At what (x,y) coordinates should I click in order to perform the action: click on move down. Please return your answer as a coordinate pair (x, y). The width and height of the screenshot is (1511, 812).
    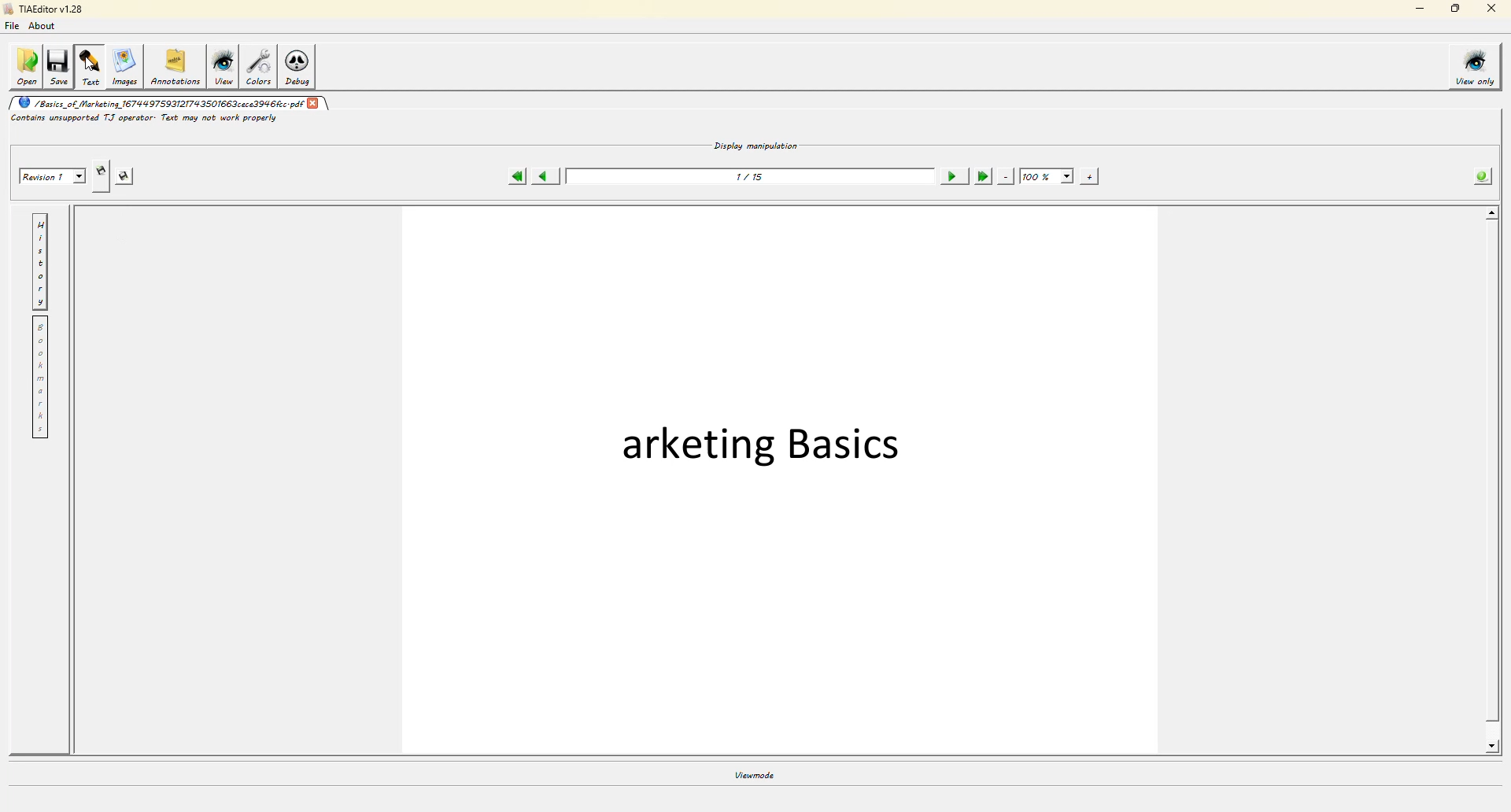
    Looking at the image, I should click on (1494, 747).